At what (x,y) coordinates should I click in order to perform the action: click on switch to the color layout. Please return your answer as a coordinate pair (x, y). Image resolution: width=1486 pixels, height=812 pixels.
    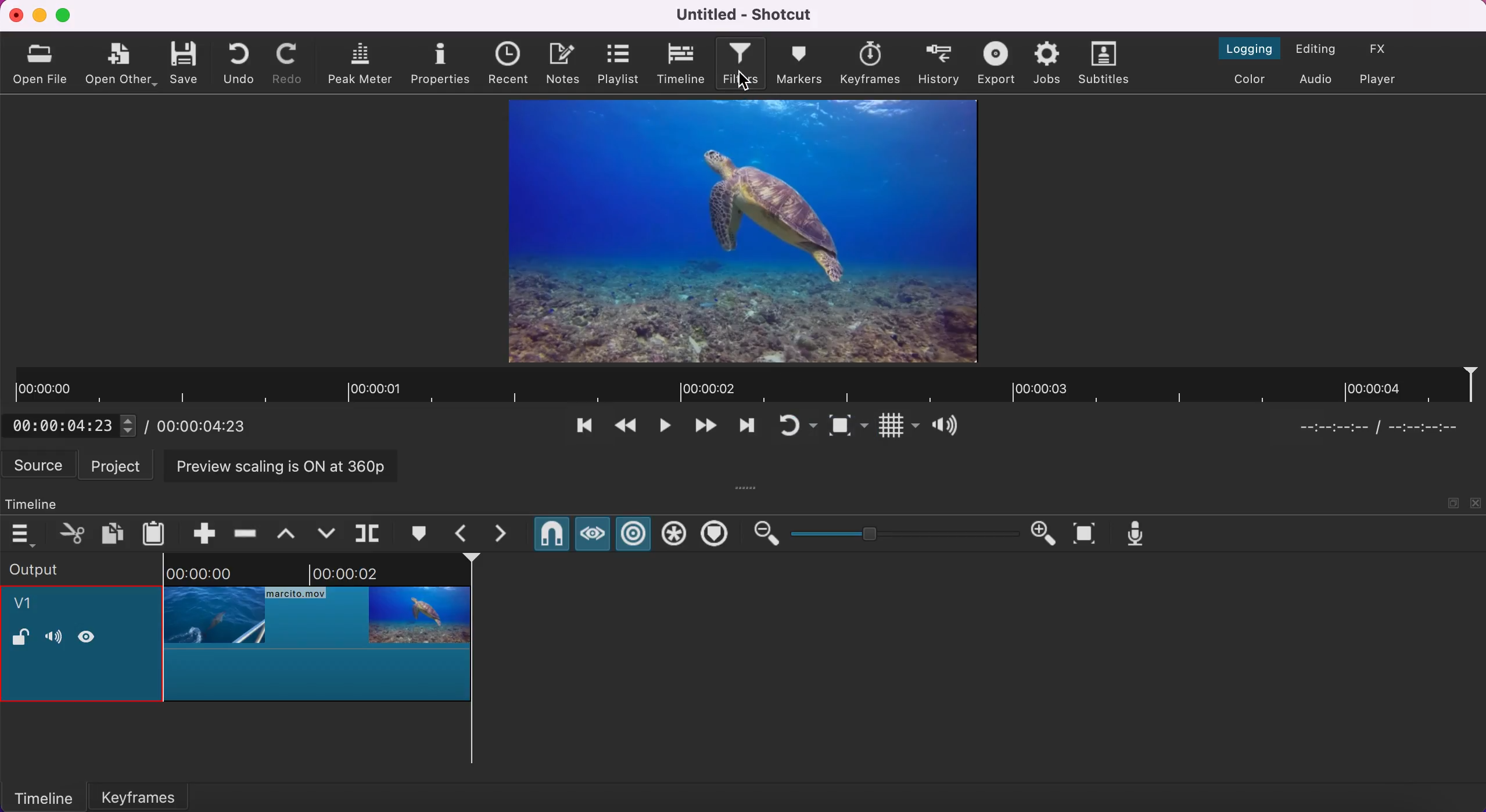
    Looking at the image, I should click on (1248, 79).